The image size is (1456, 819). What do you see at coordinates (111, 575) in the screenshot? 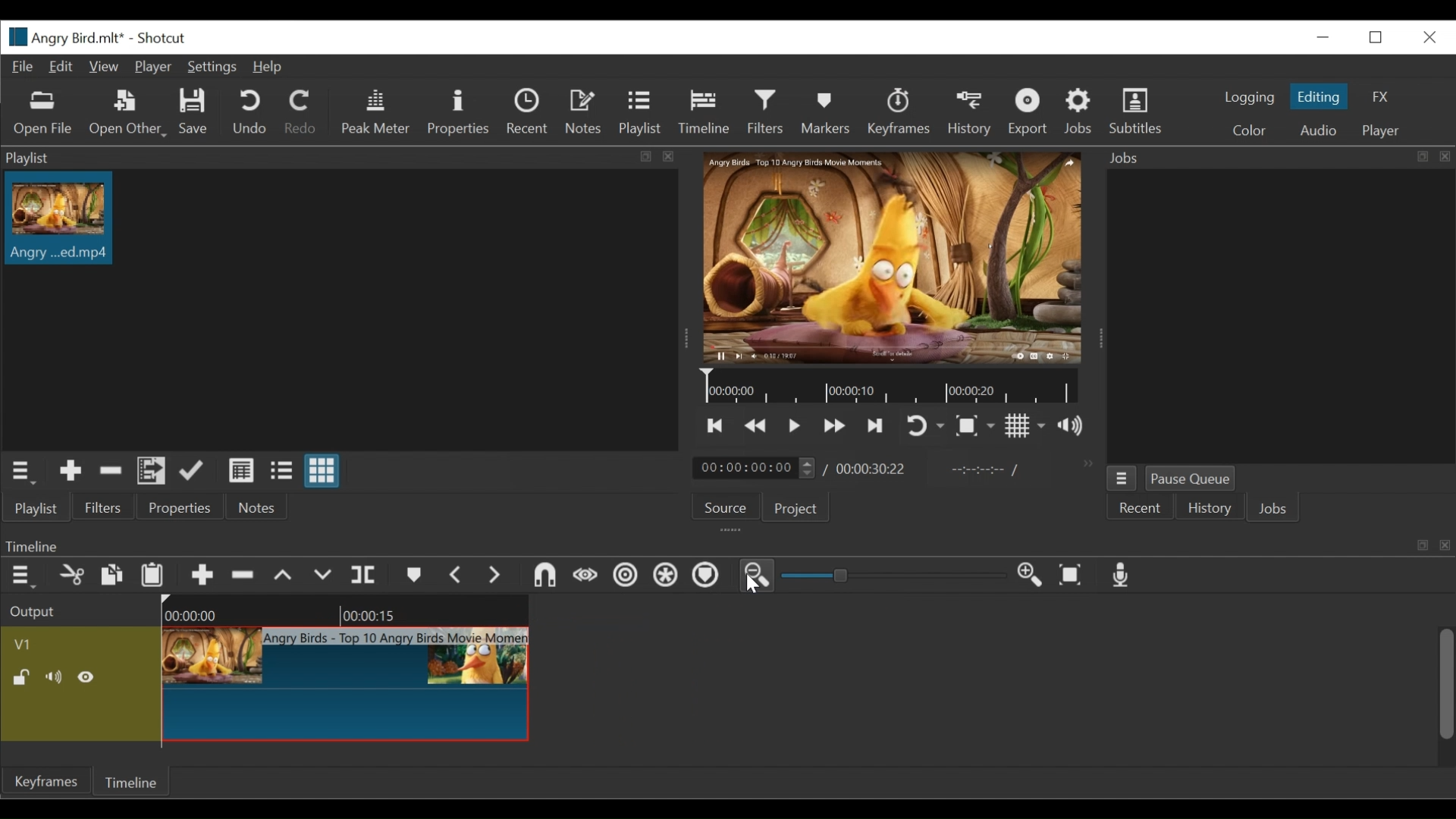
I see `Copy` at bounding box center [111, 575].